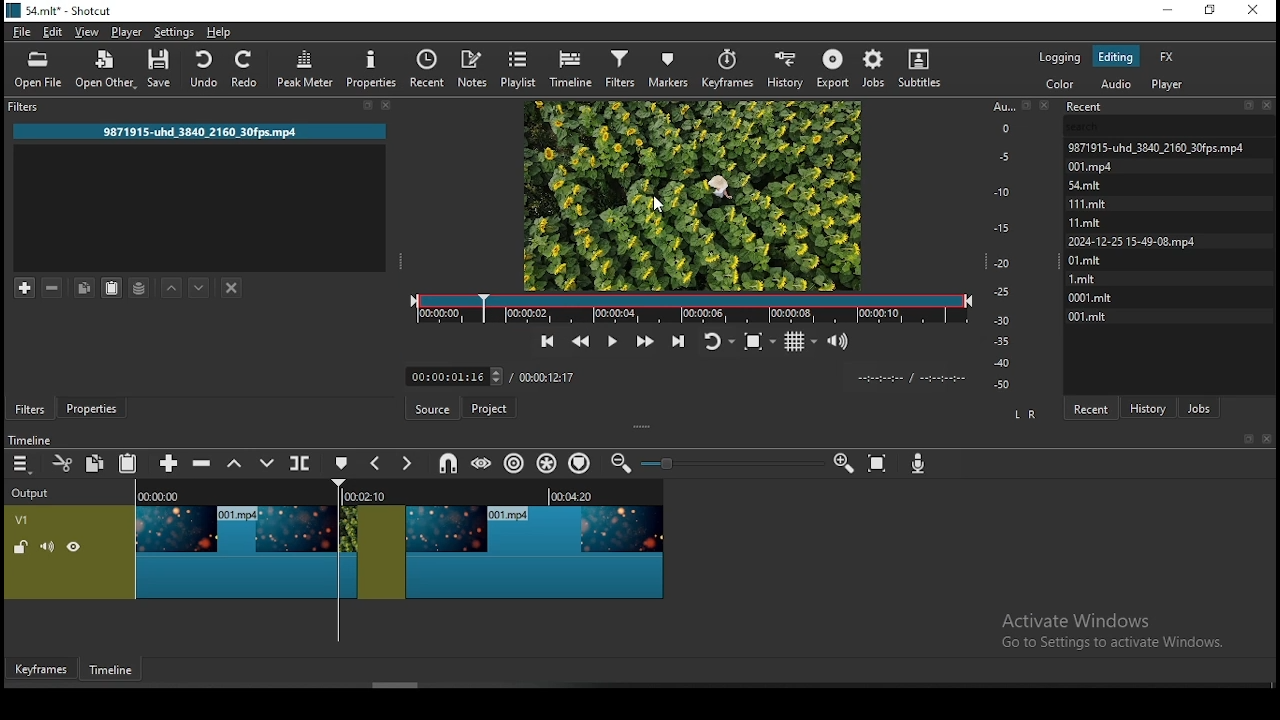  What do you see at coordinates (619, 67) in the screenshot?
I see `filters` at bounding box center [619, 67].